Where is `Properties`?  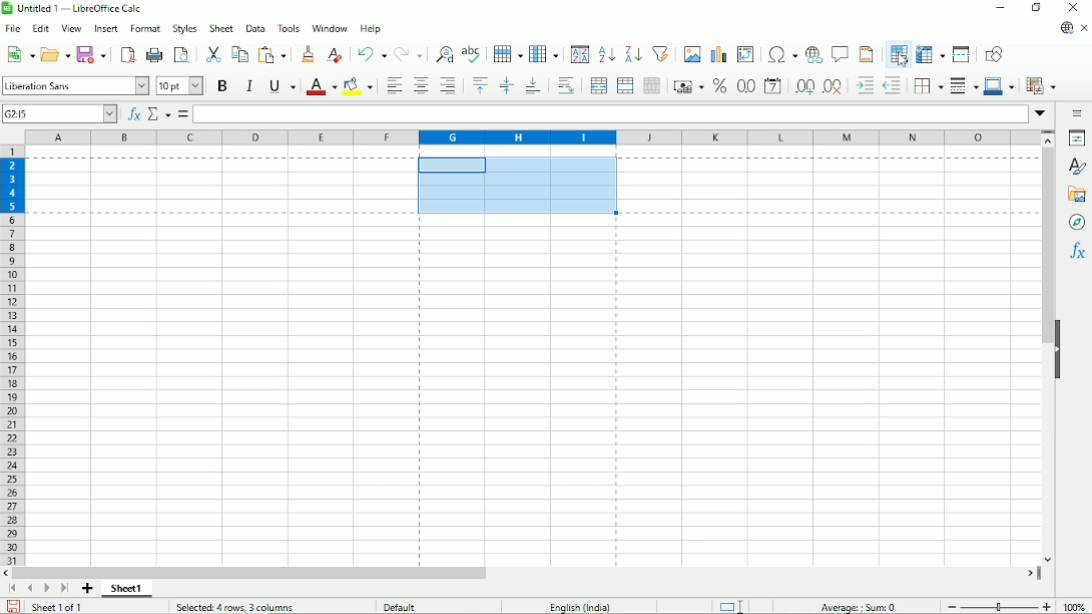 Properties is located at coordinates (1075, 137).